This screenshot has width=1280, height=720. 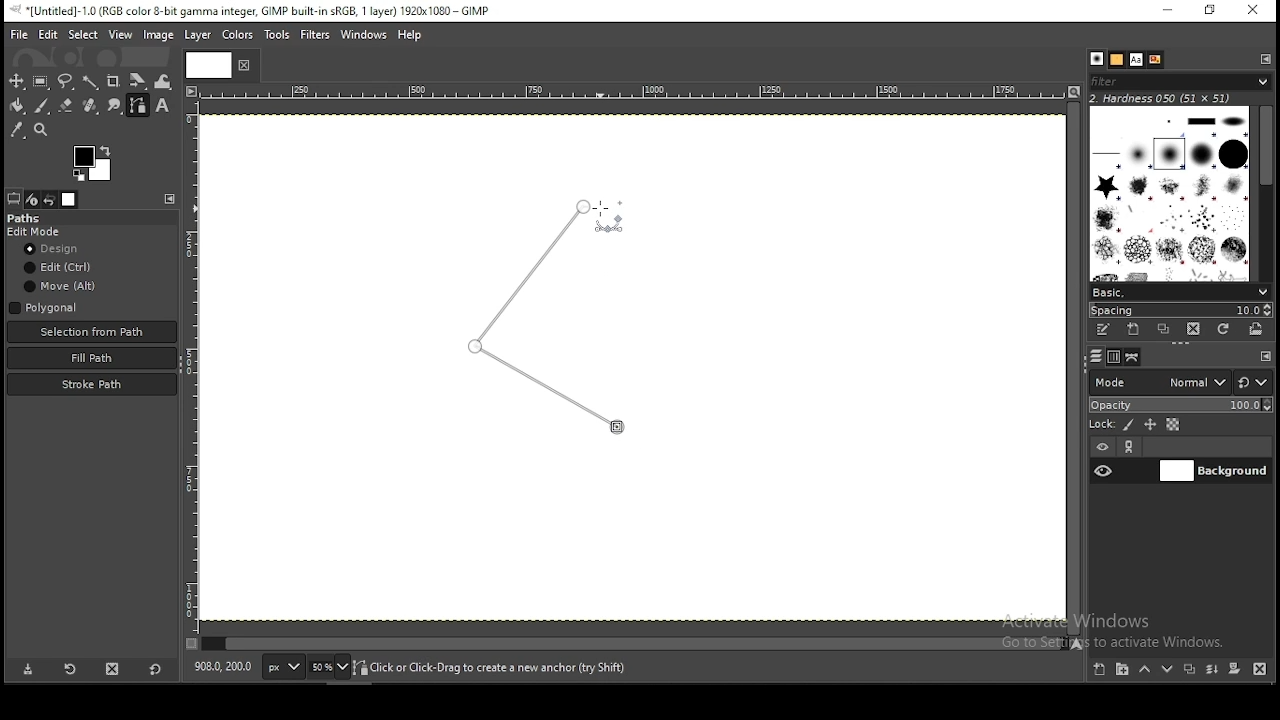 What do you see at coordinates (66, 108) in the screenshot?
I see `eraser tool` at bounding box center [66, 108].